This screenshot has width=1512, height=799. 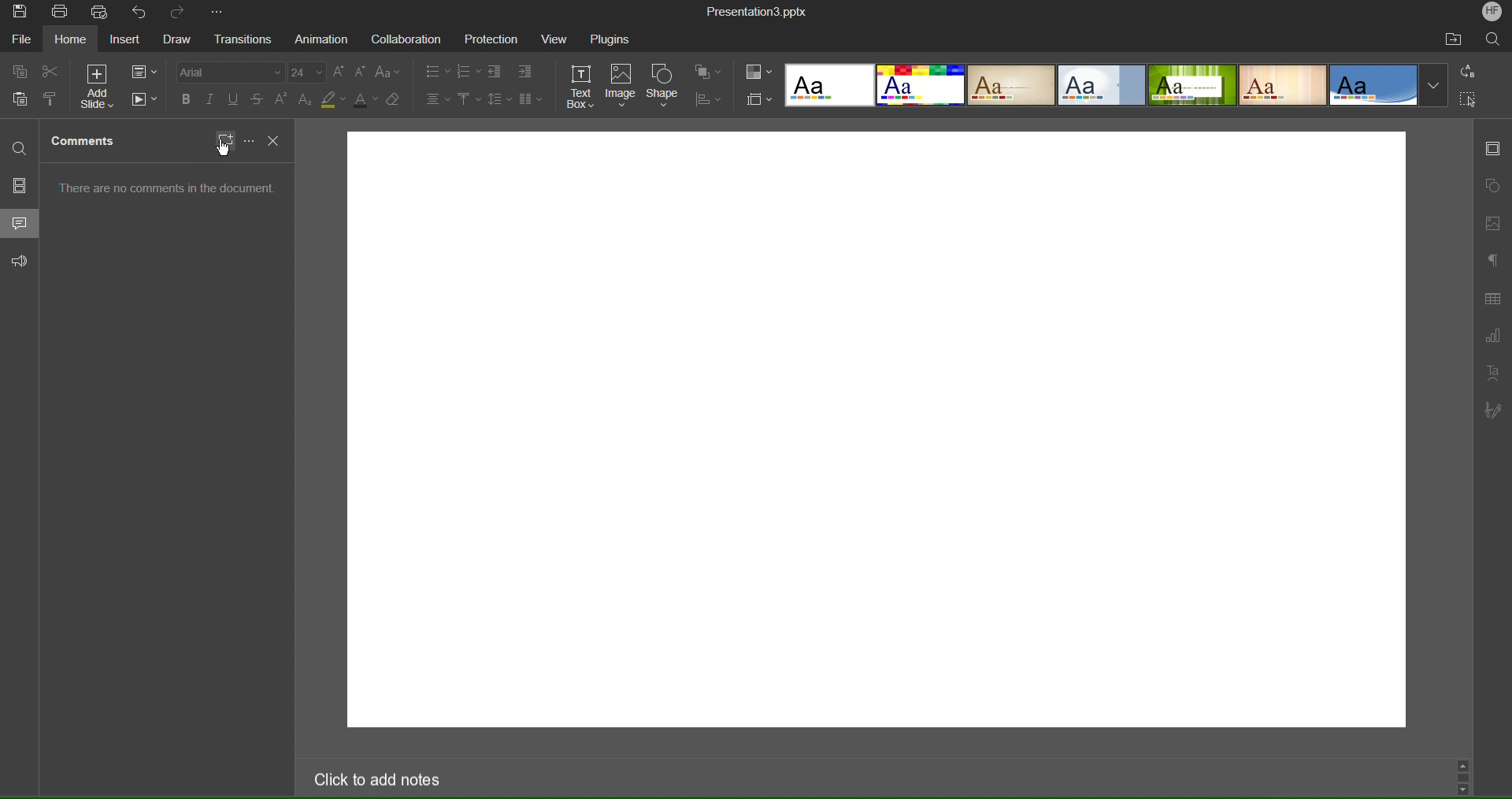 What do you see at coordinates (21, 71) in the screenshot?
I see `Copy` at bounding box center [21, 71].